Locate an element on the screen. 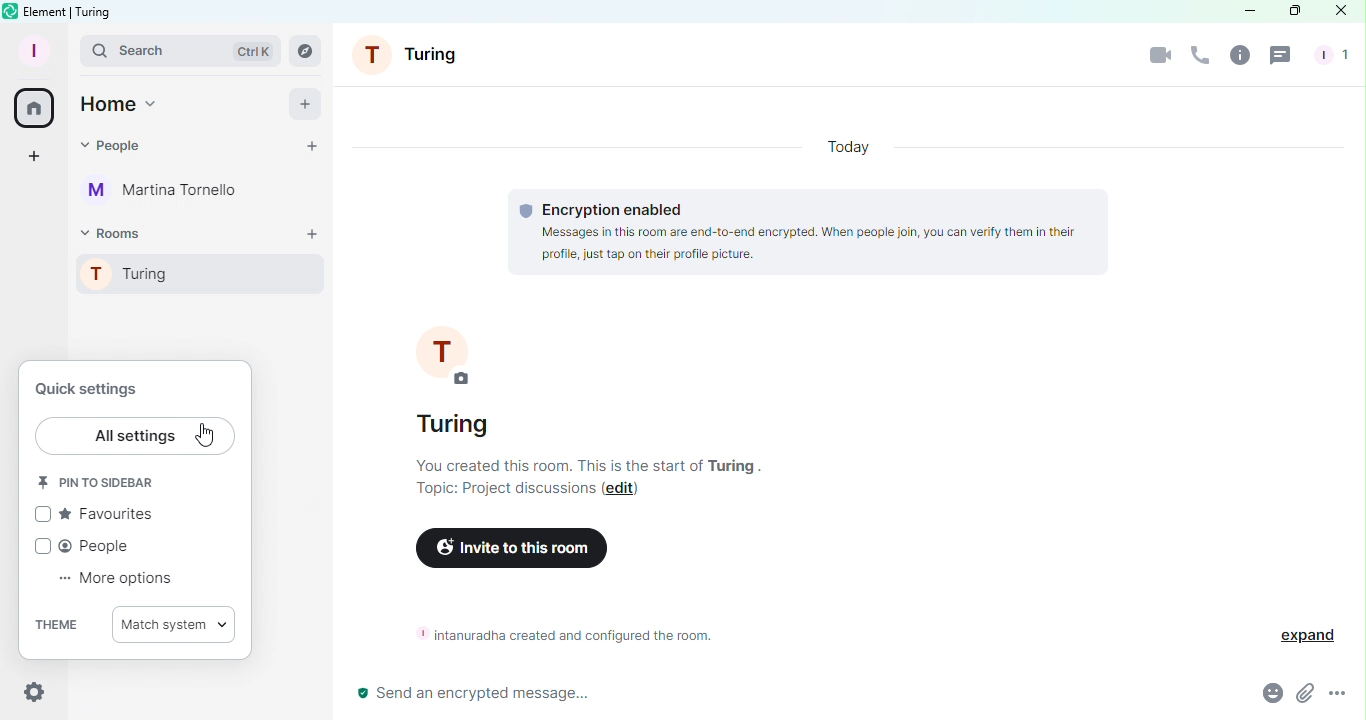 This screenshot has width=1366, height=720. Martina Tornello is located at coordinates (165, 195).